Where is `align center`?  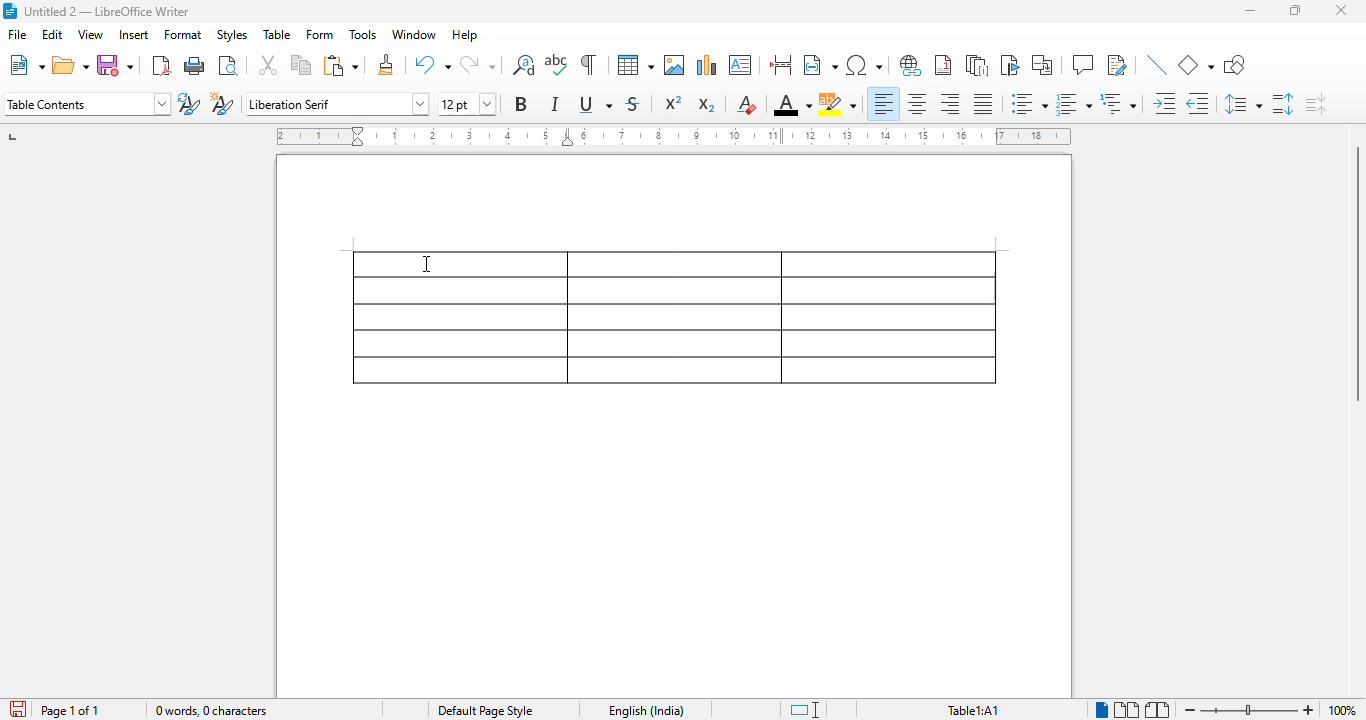
align center is located at coordinates (917, 104).